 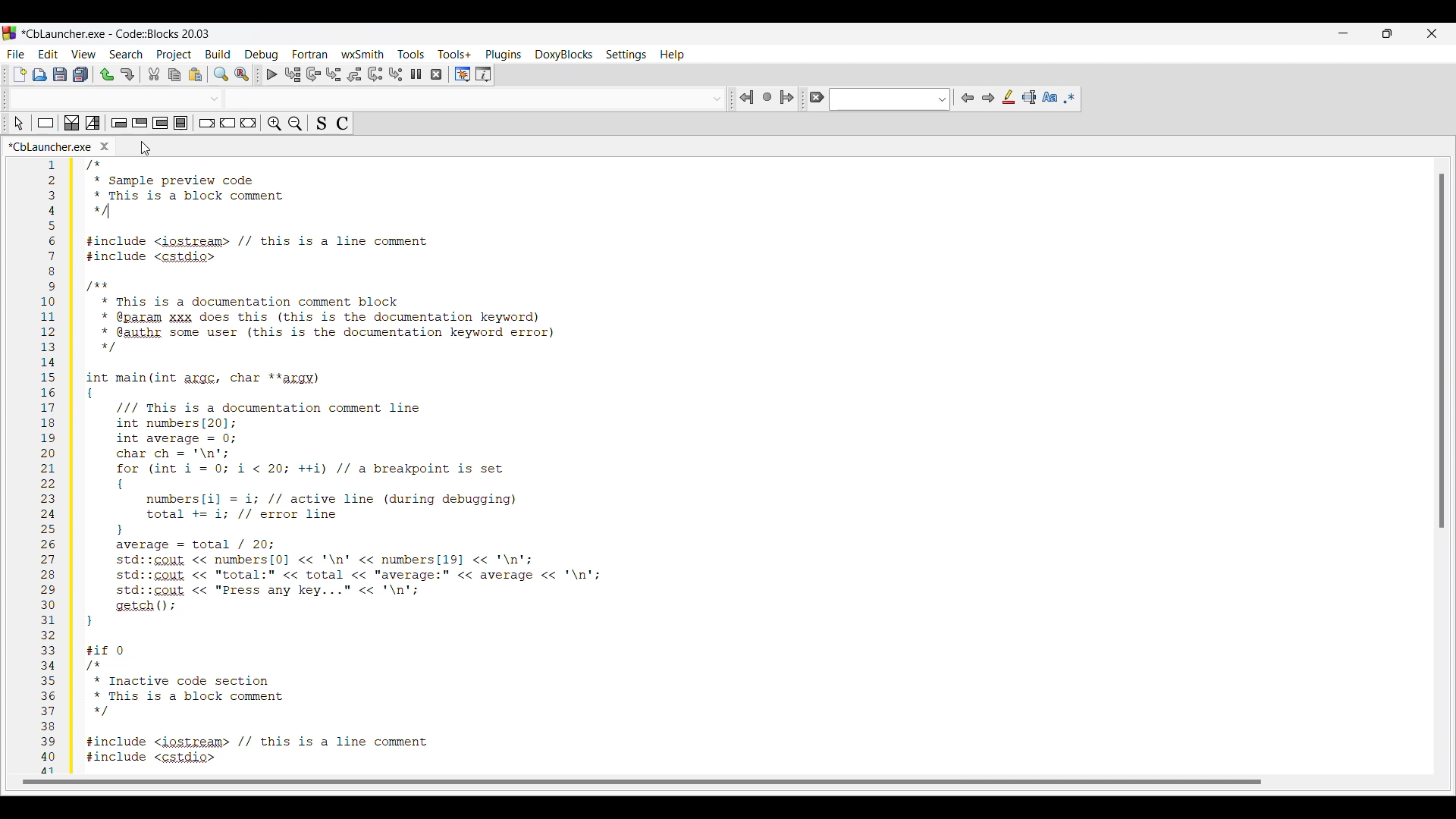 I want to click on Plugins menu, so click(x=503, y=55).